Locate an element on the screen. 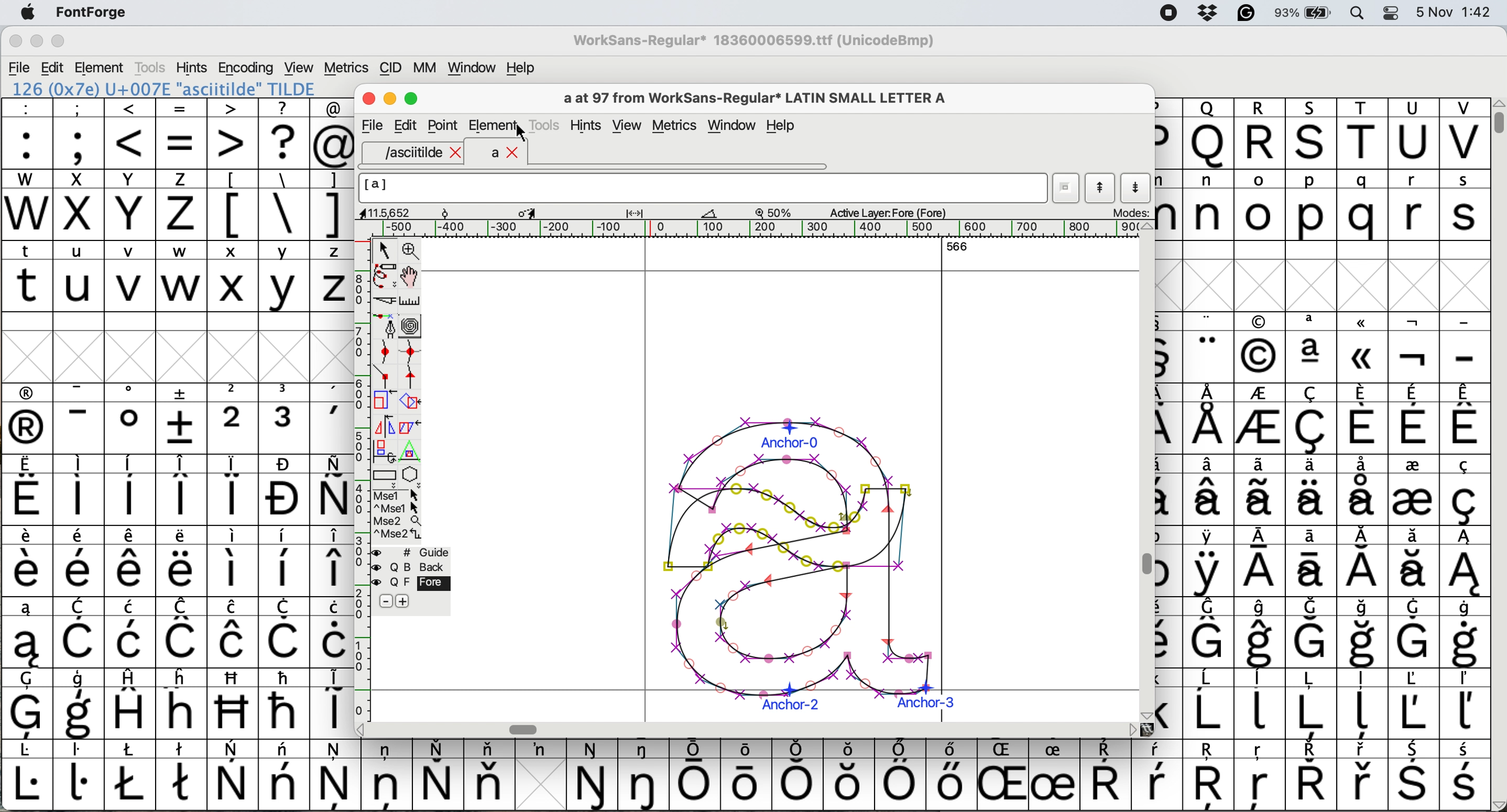 This screenshot has height=812, width=1507.  is located at coordinates (1006, 775).